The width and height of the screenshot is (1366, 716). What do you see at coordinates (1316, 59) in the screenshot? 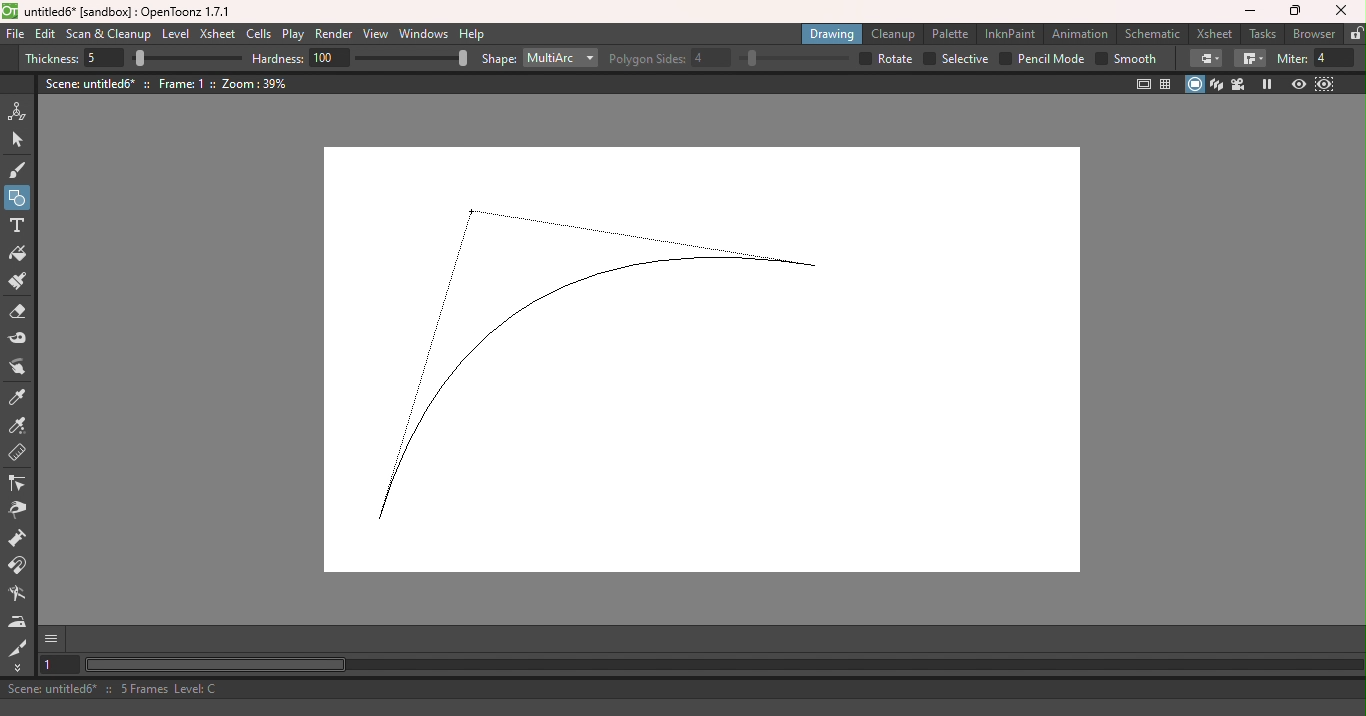
I see `Miter` at bounding box center [1316, 59].